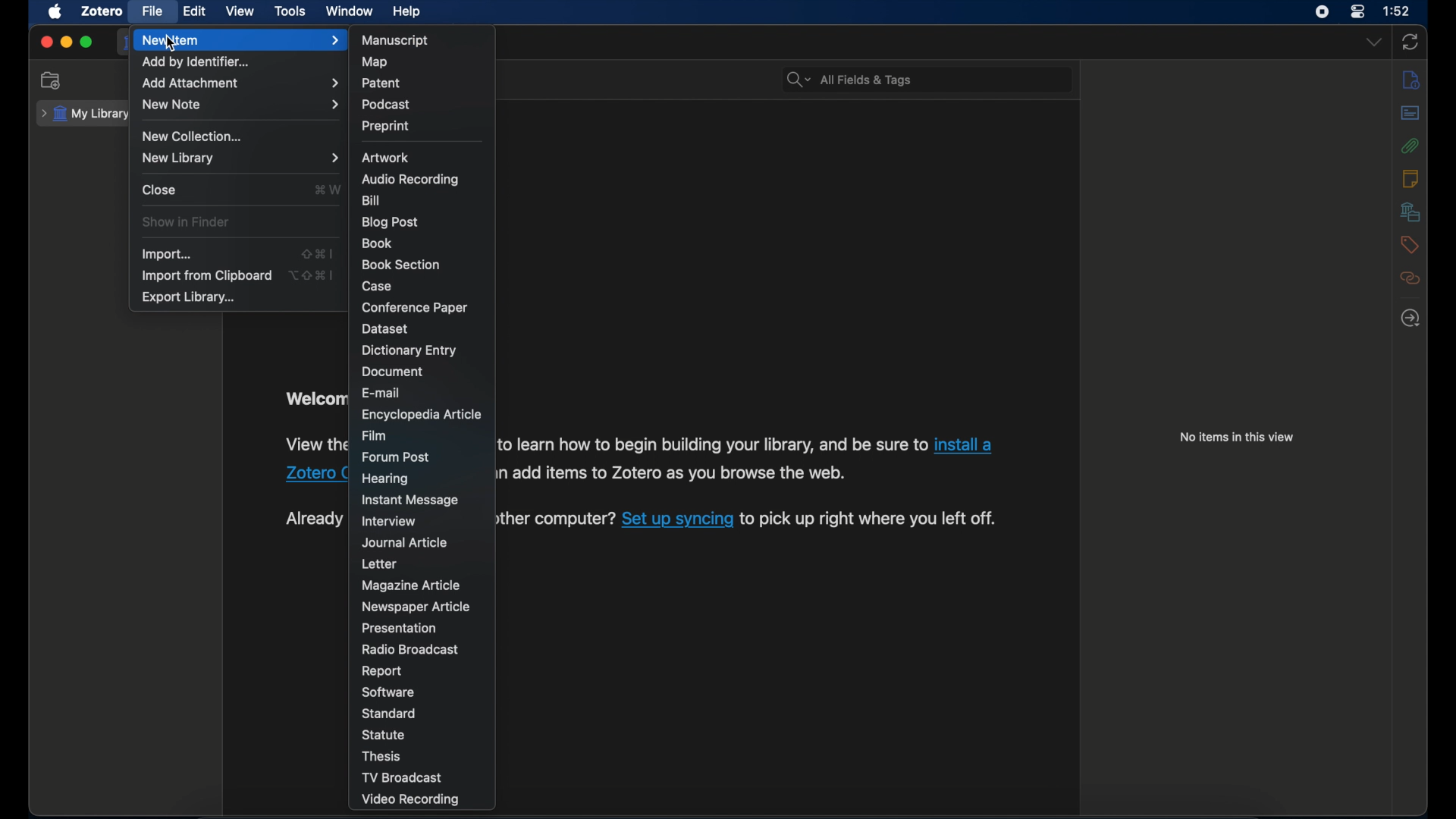 The width and height of the screenshot is (1456, 819). What do you see at coordinates (290, 11) in the screenshot?
I see `tools` at bounding box center [290, 11].